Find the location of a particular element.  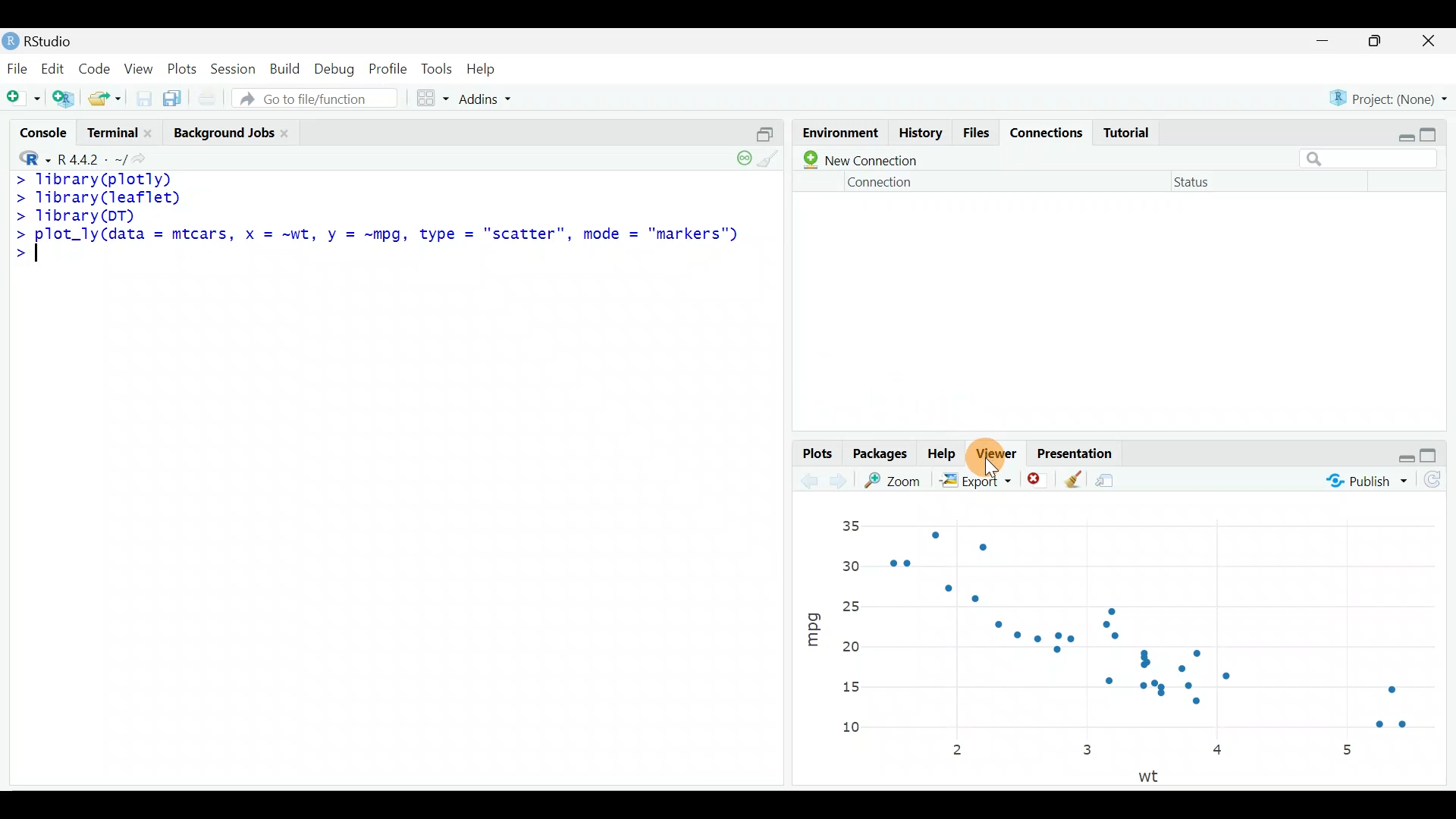

maximize is located at coordinates (1432, 454).